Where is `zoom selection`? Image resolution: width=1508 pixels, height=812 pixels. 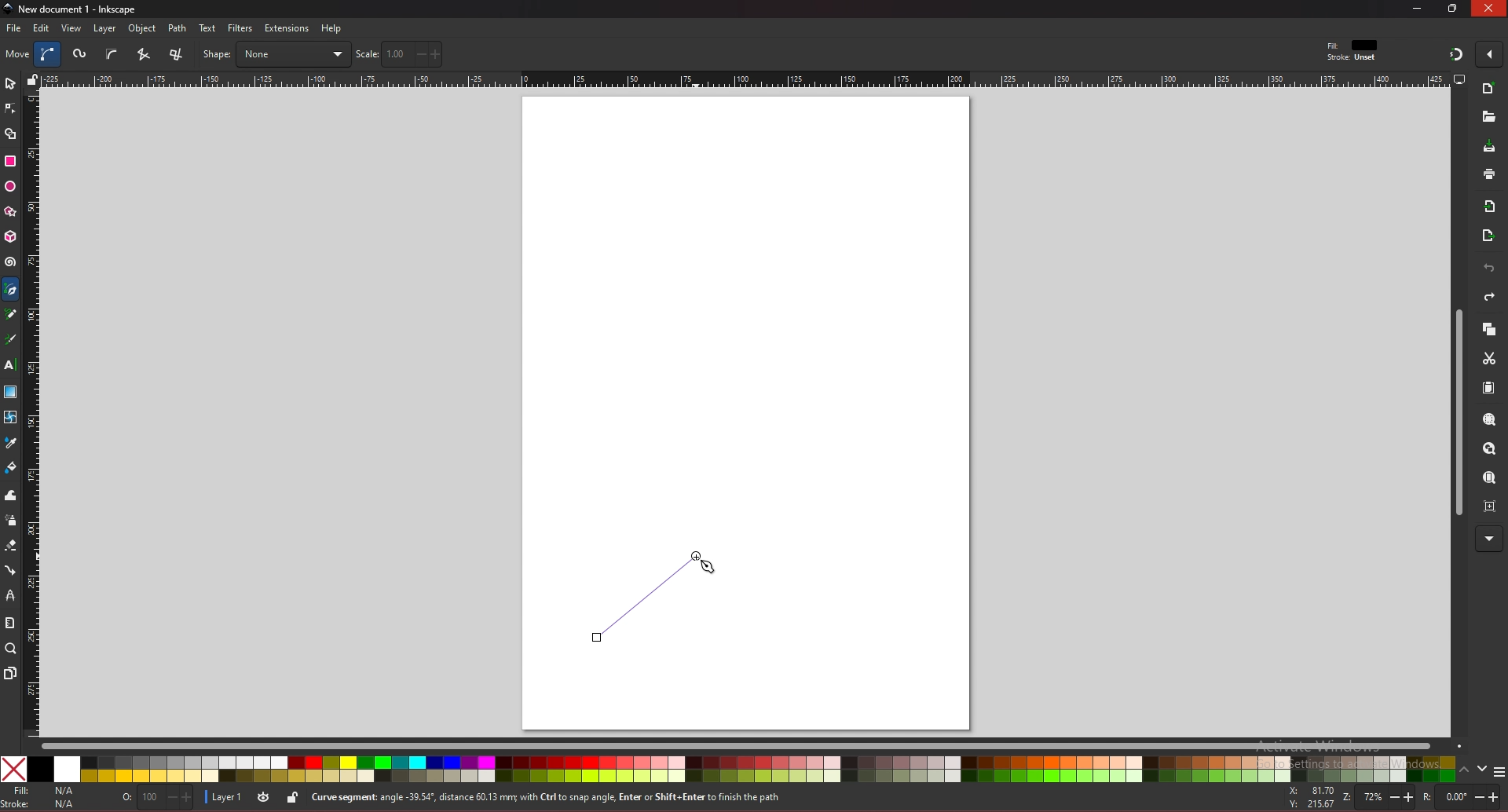 zoom selection is located at coordinates (1491, 421).